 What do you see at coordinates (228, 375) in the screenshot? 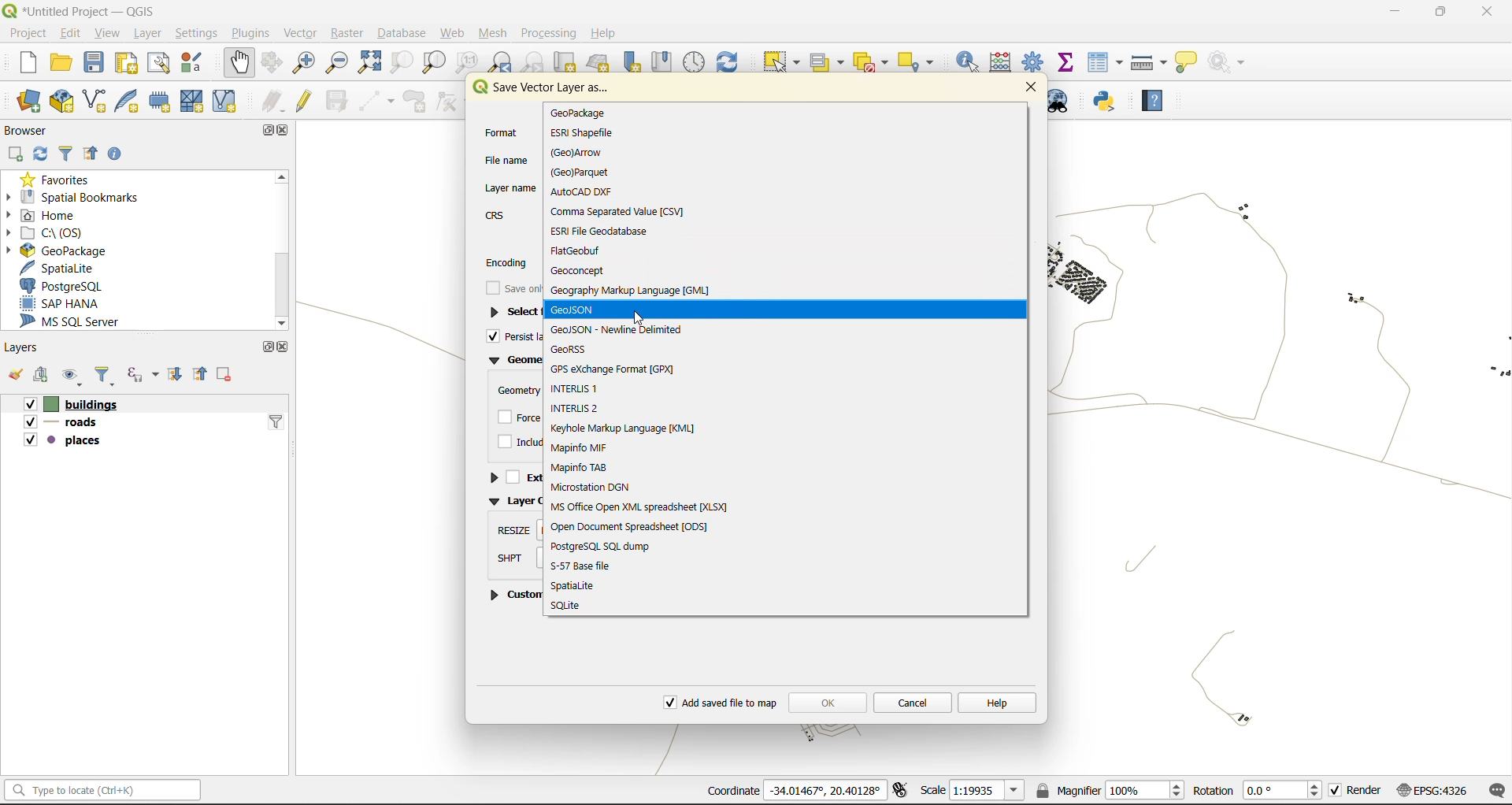
I see `remove` at bounding box center [228, 375].